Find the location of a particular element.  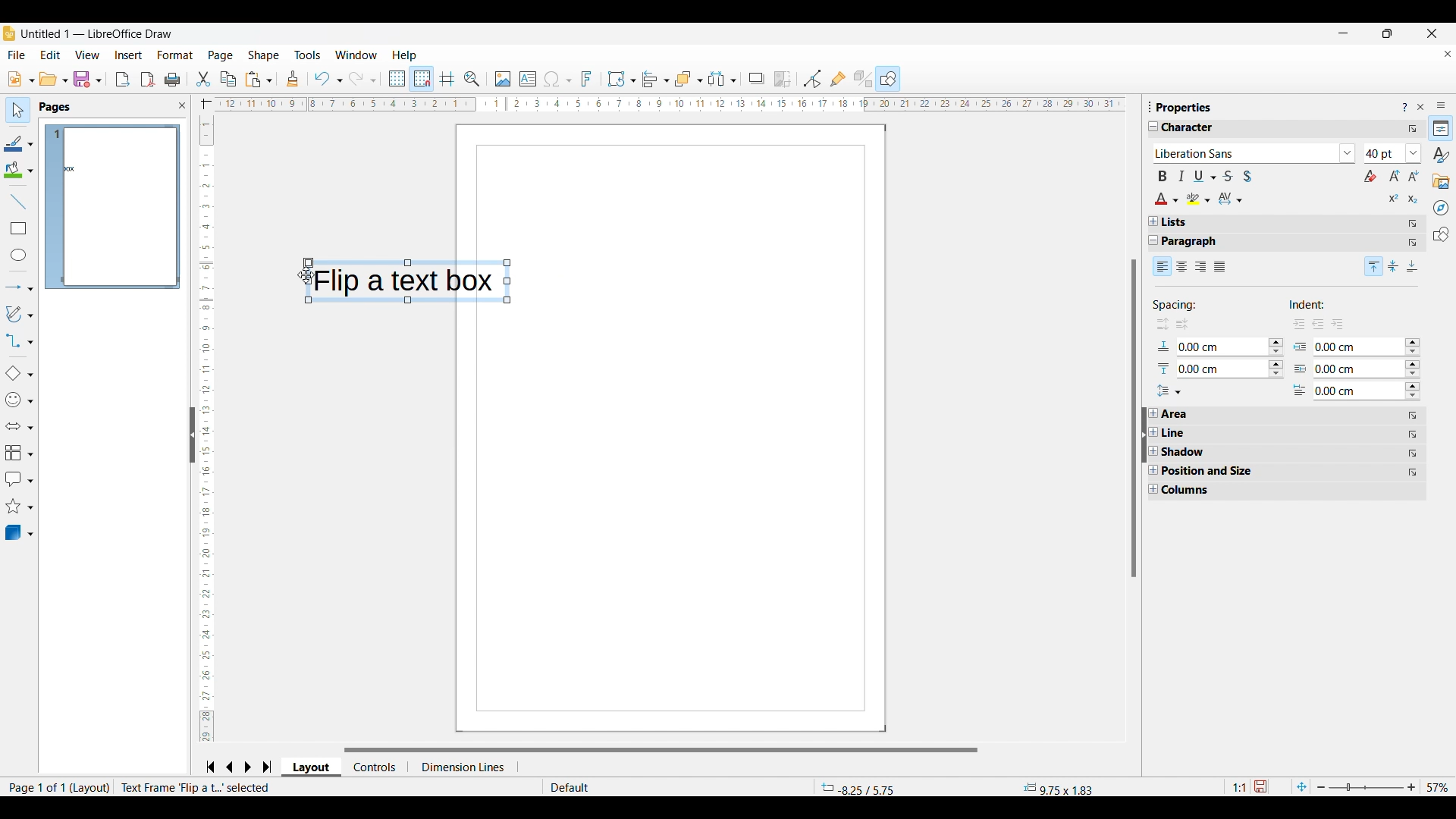

Sidebar title is located at coordinates (56, 108).